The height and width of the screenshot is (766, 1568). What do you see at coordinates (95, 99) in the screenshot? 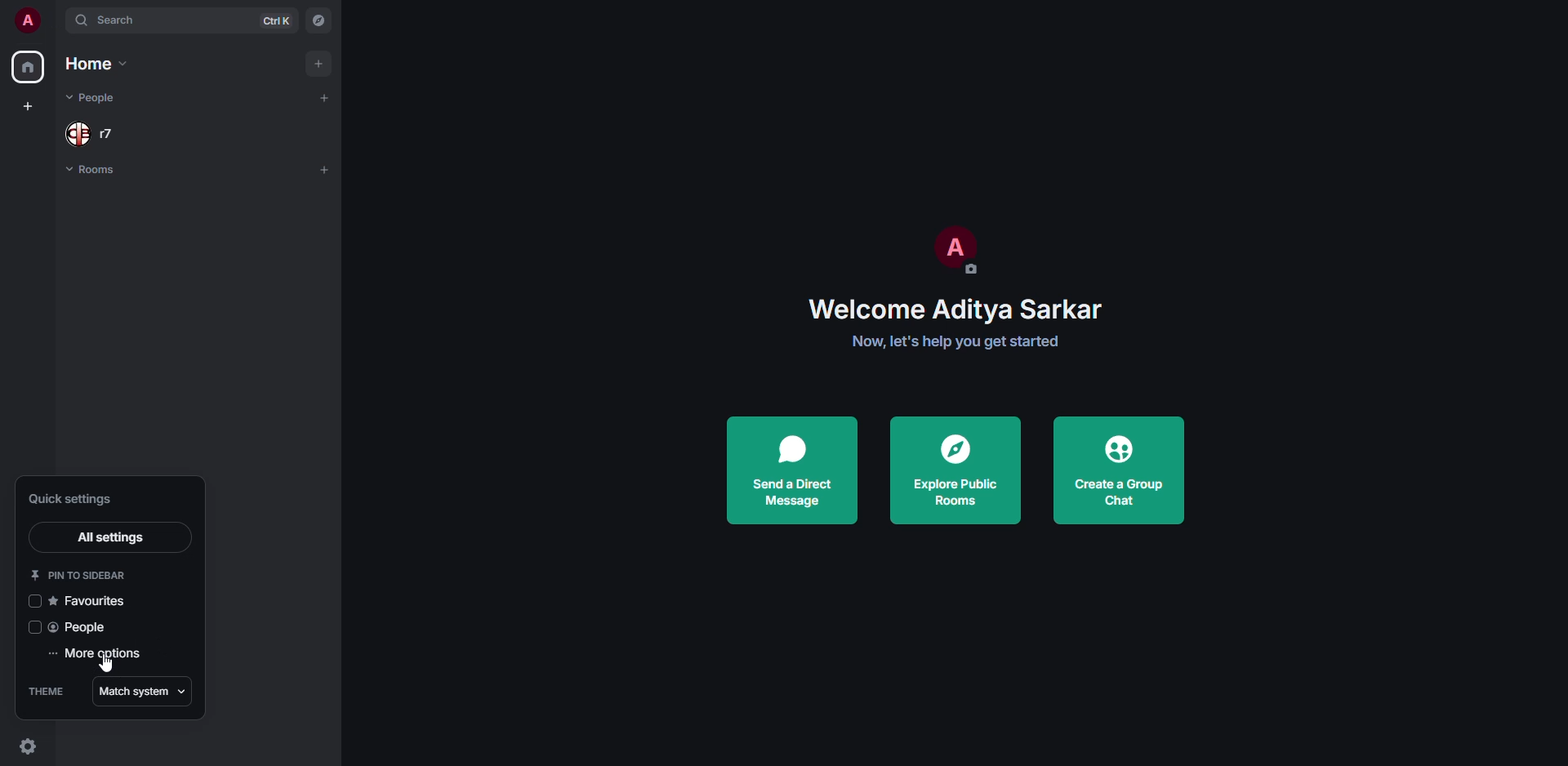
I see `people` at bounding box center [95, 99].